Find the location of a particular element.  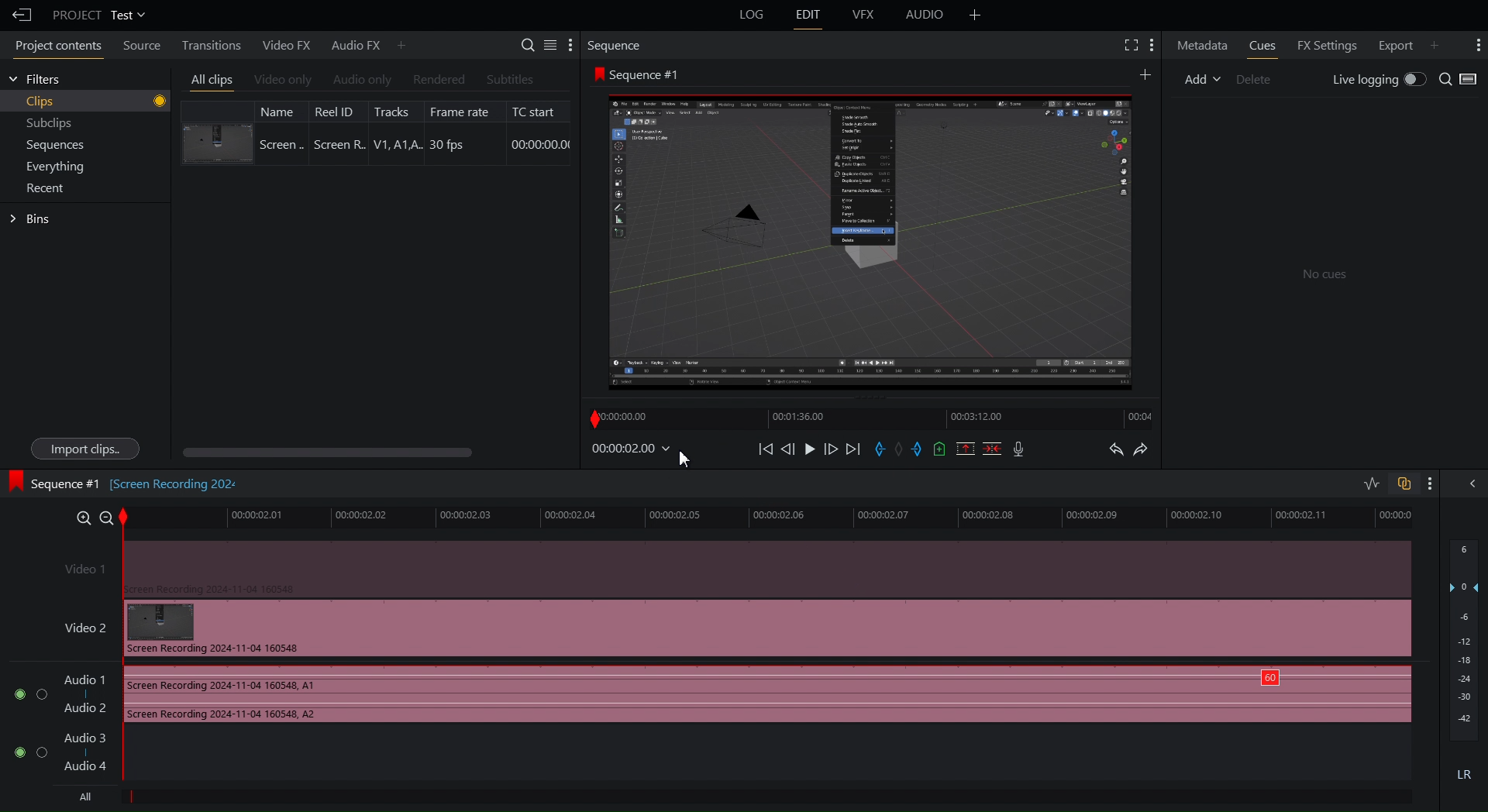

Sequence Controls is located at coordinates (897, 450).